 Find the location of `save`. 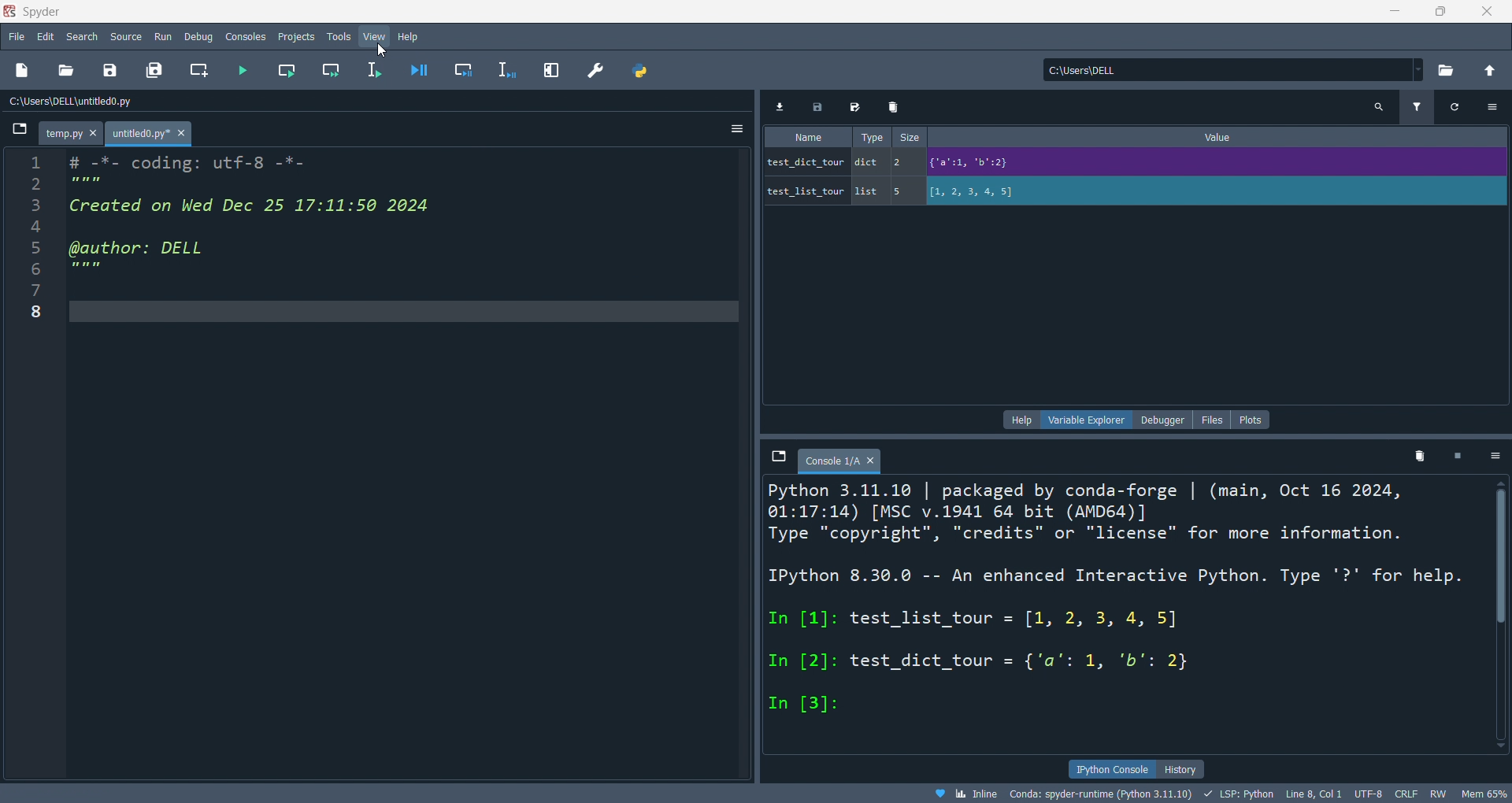

save is located at coordinates (115, 68).